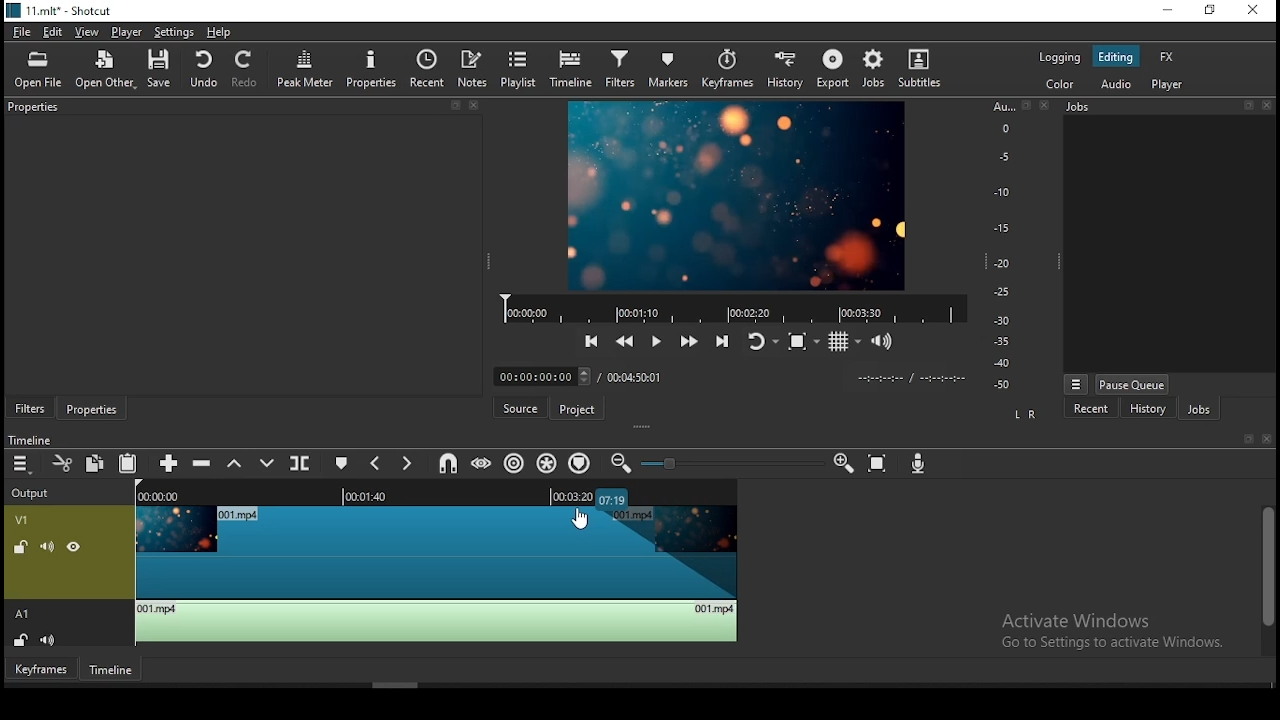  Describe the element at coordinates (883, 343) in the screenshot. I see `show volume control` at that location.